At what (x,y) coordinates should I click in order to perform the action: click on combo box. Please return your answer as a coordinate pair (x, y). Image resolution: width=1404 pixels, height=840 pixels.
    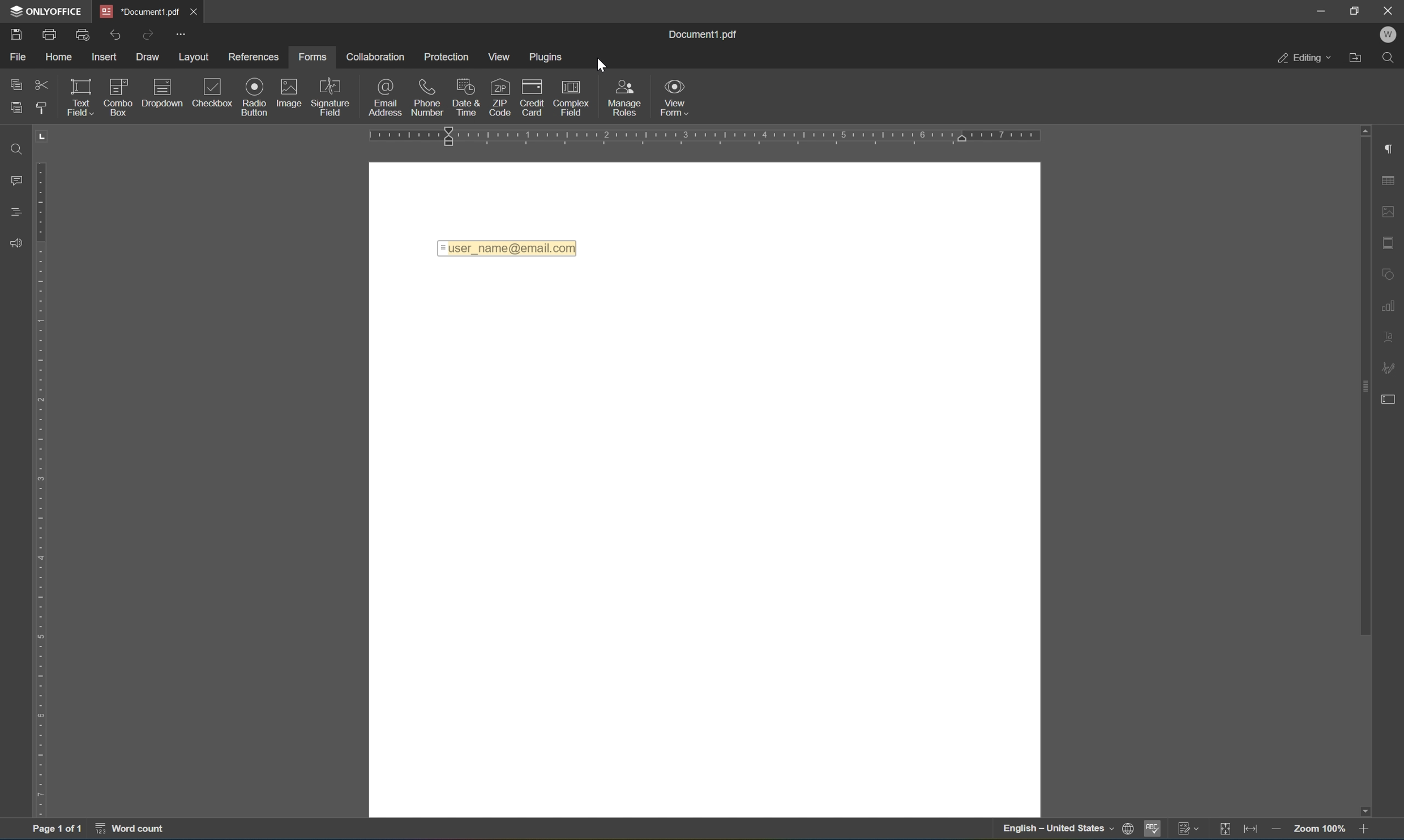
    Looking at the image, I should click on (118, 96).